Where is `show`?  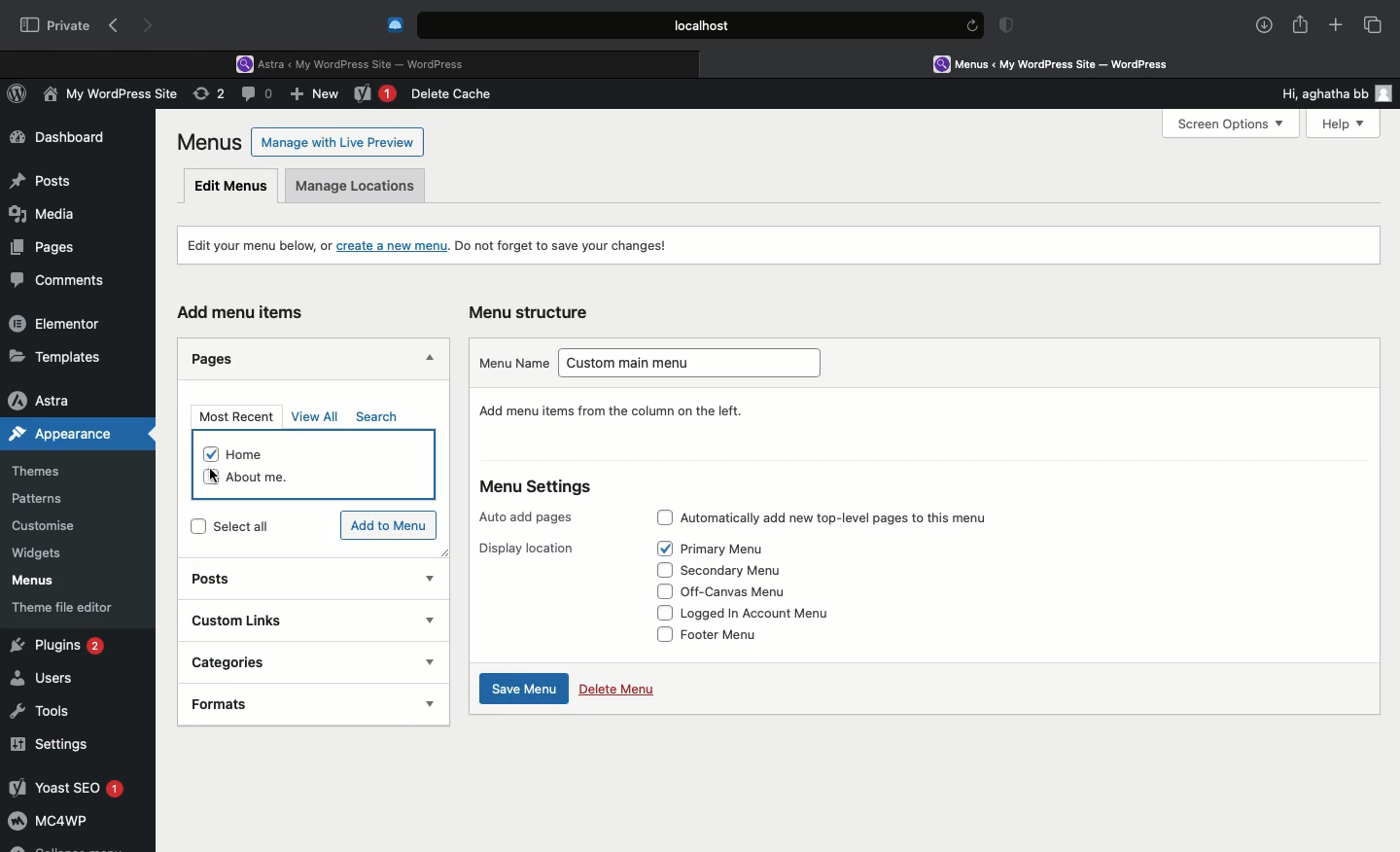
show is located at coordinates (431, 662).